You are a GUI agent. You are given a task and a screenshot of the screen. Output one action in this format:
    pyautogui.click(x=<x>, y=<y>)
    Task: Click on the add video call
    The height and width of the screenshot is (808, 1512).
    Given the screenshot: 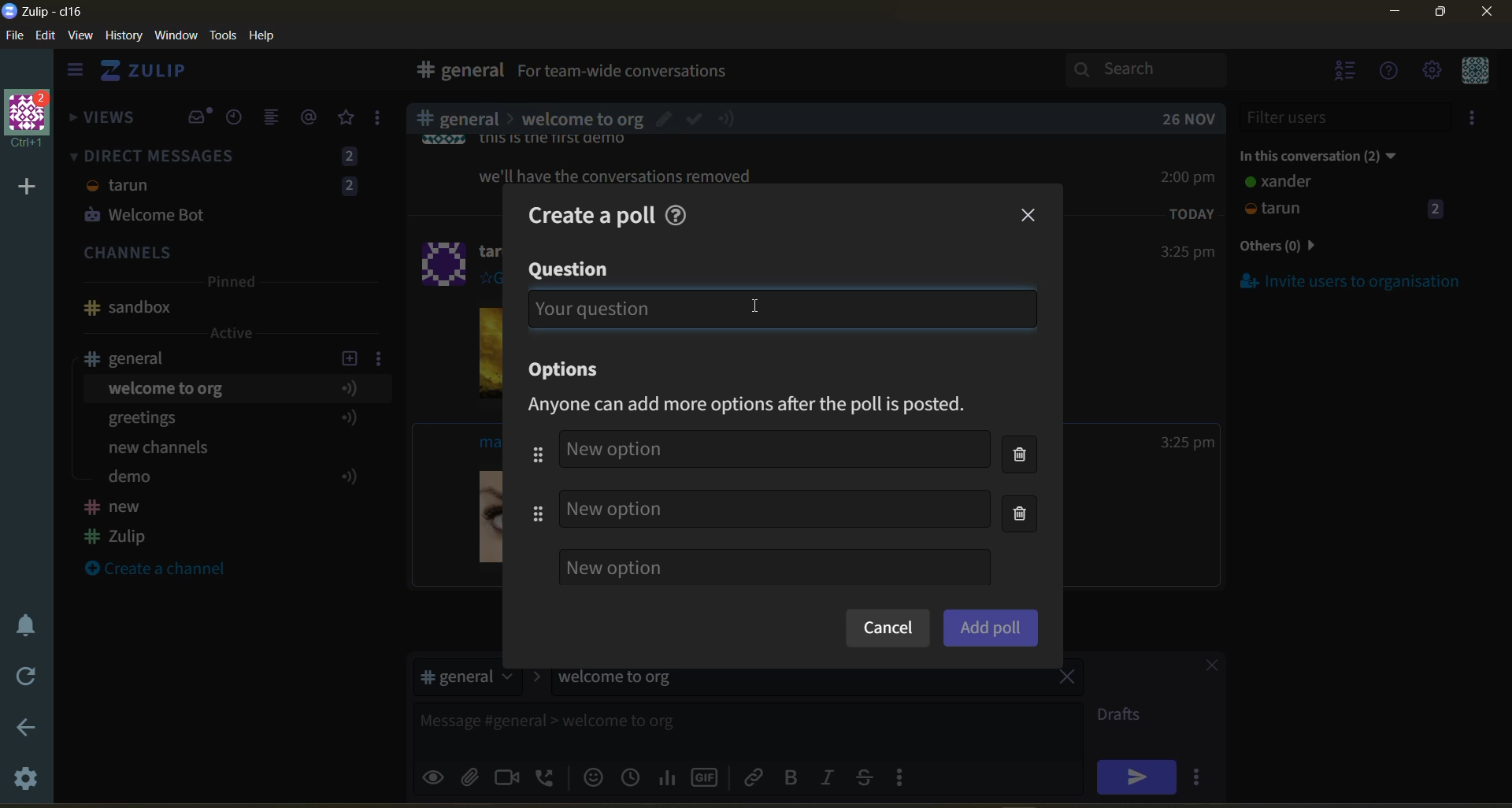 What is the action you would take?
    pyautogui.click(x=508, y=776)
    